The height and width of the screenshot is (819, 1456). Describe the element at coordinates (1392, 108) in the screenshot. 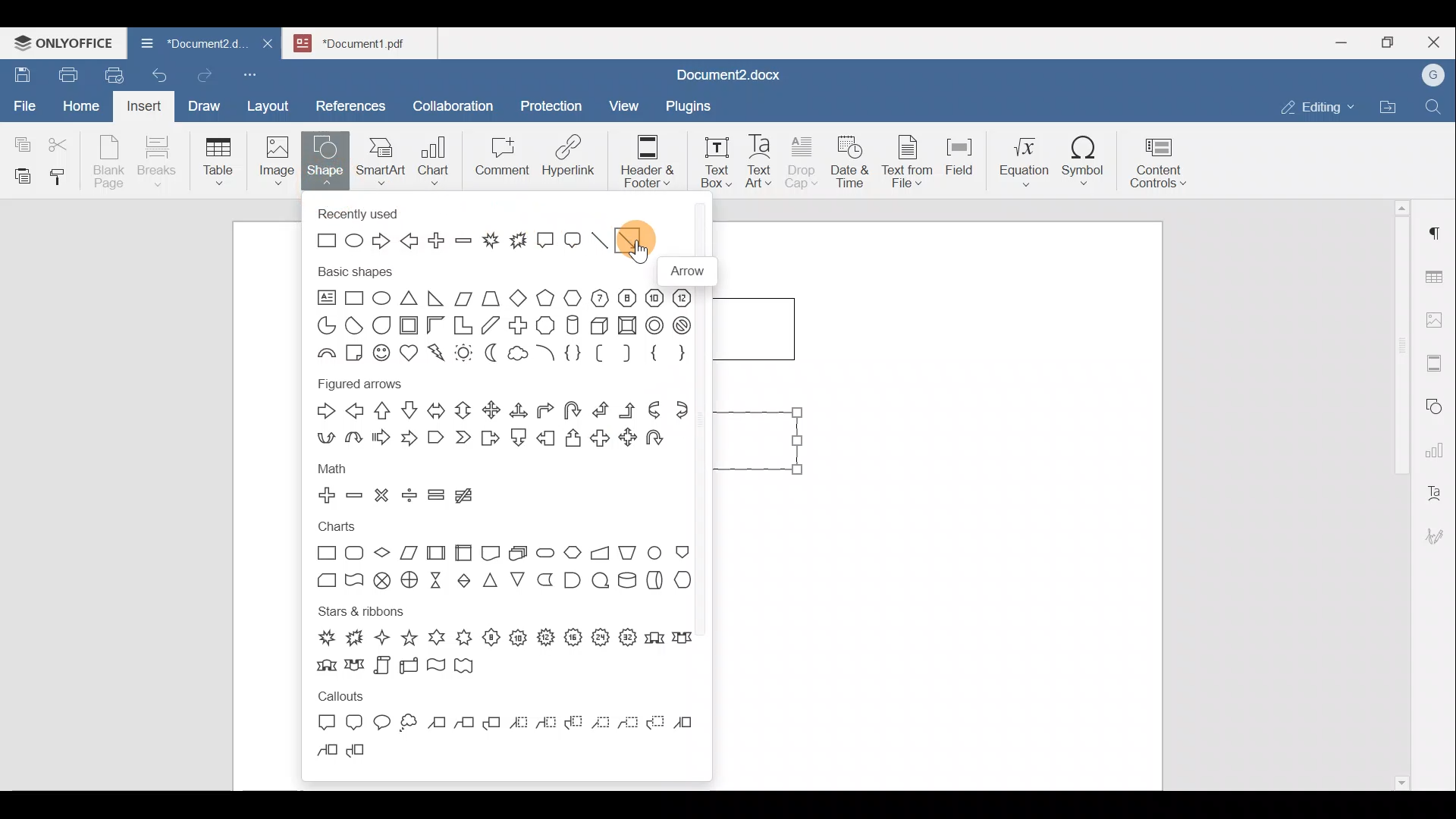

I see `Open file location` at that location.